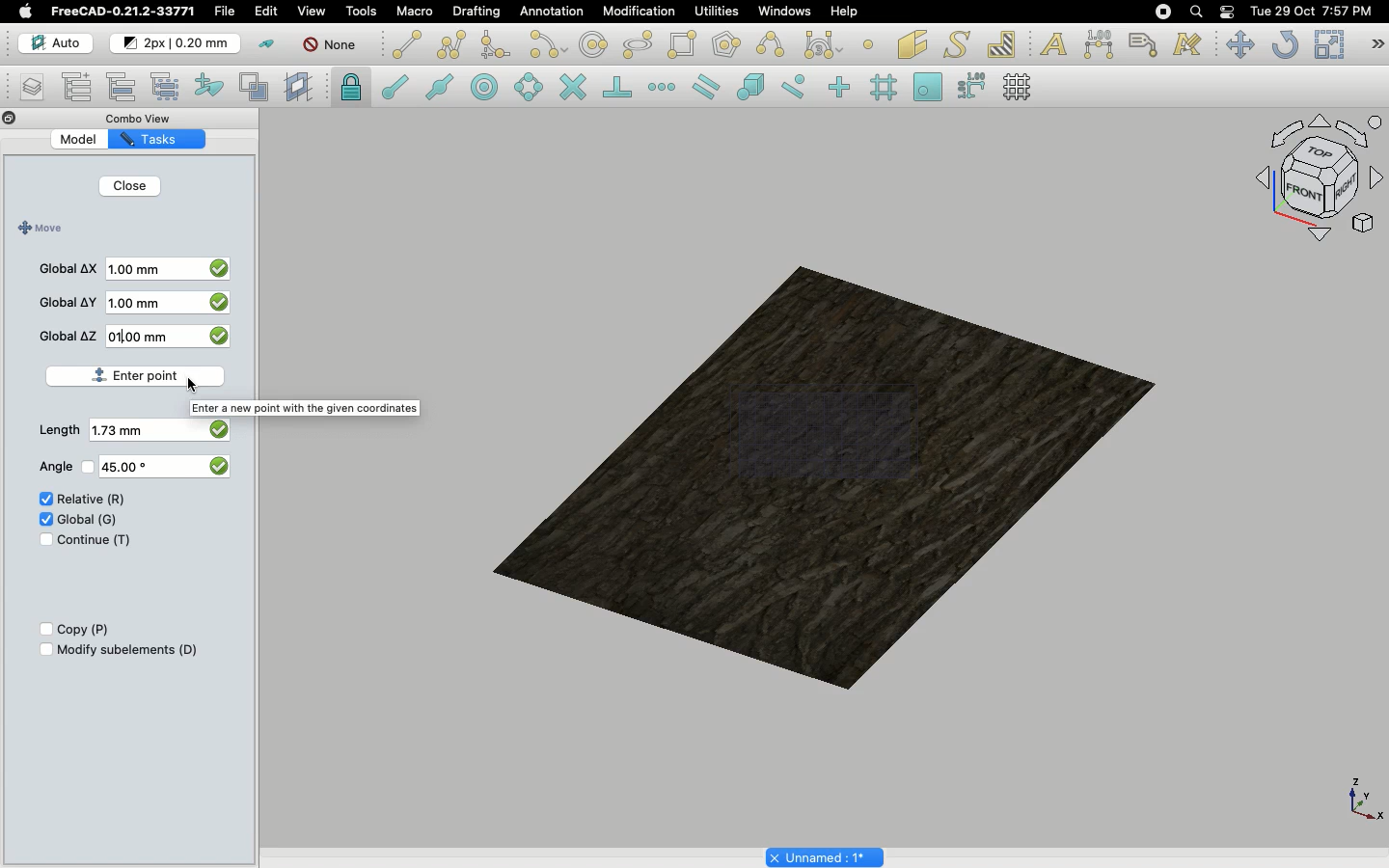  I want to click on checkbox, so click(217, 465).